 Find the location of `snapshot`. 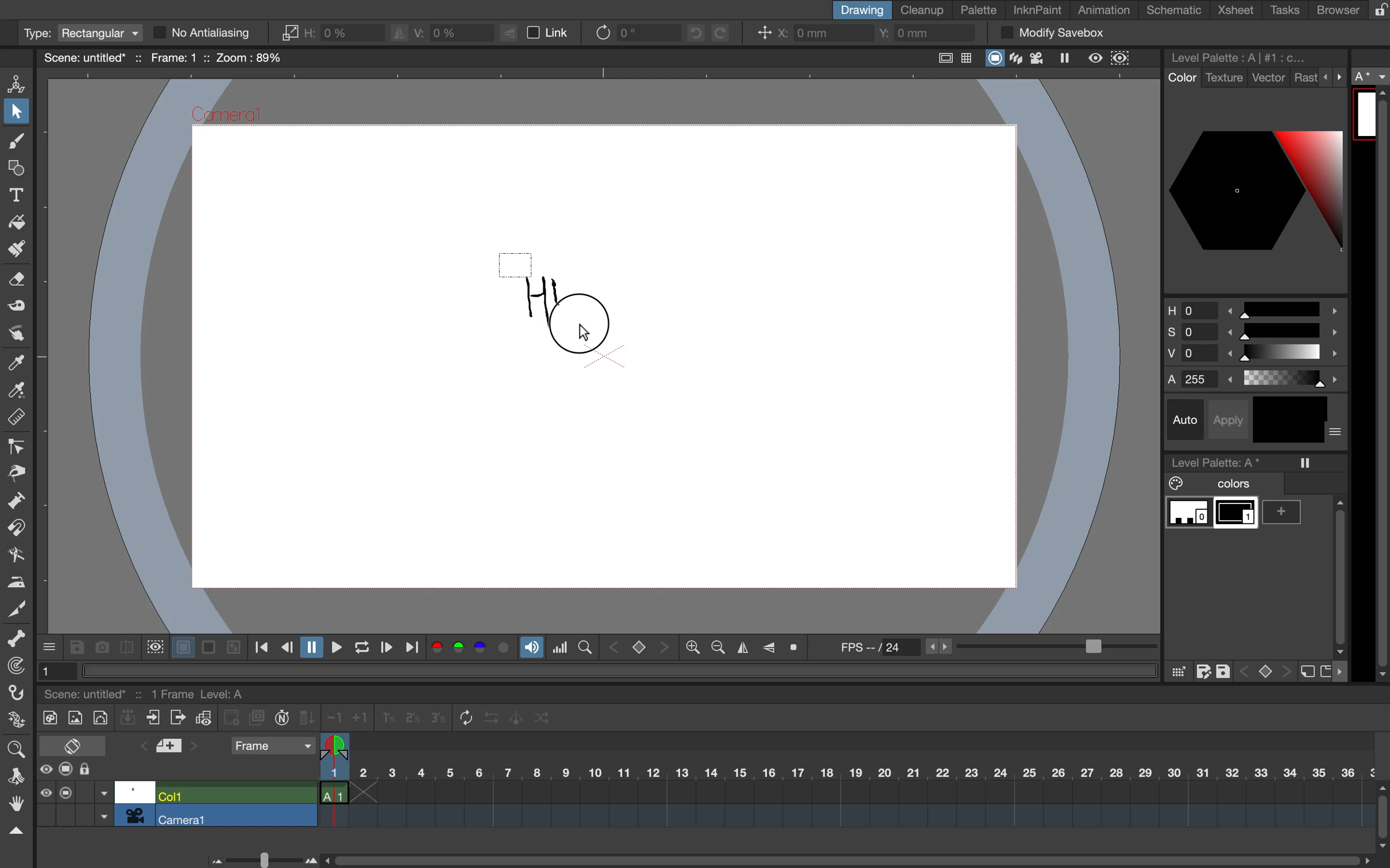

snapshot is located at coordinates (100, 646).